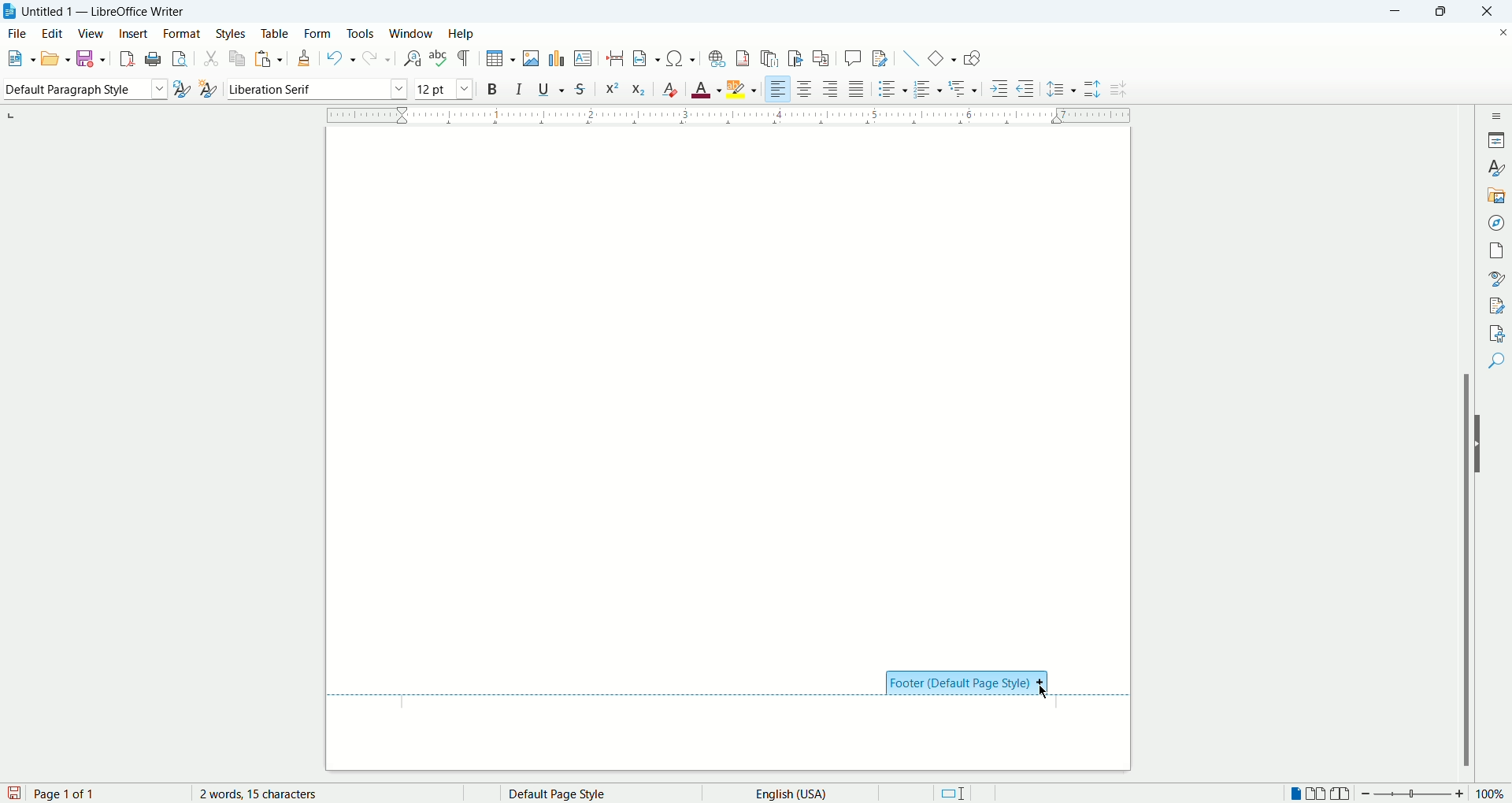  Describe the element at coordinates (853, 57) in the screenshot. I see `insert comment` at that location.